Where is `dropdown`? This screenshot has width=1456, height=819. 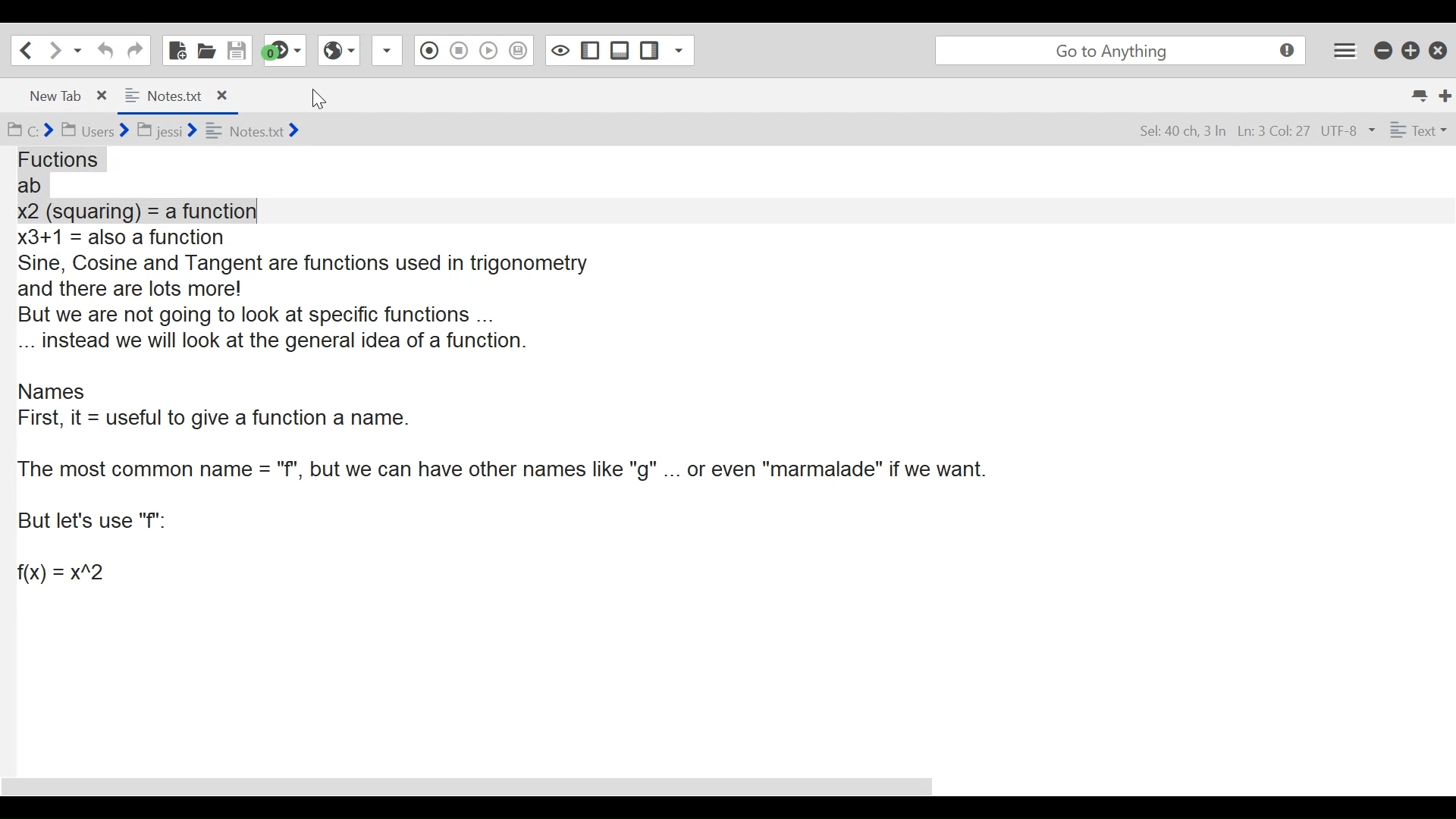 dropdown is located at coordinates (681, 52).